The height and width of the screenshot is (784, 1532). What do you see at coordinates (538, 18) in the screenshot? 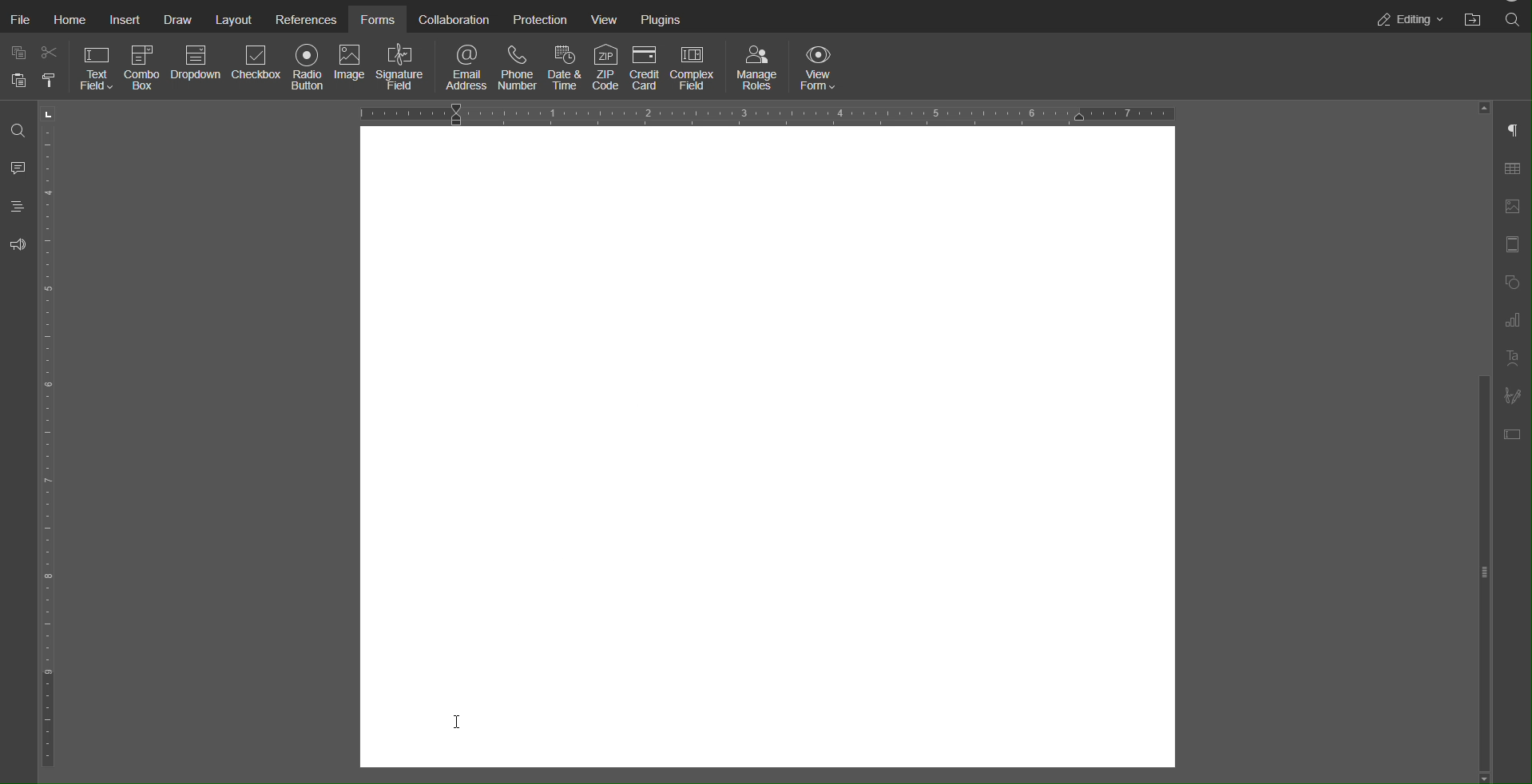
I see `Protection` at bounding box center [538, 18].